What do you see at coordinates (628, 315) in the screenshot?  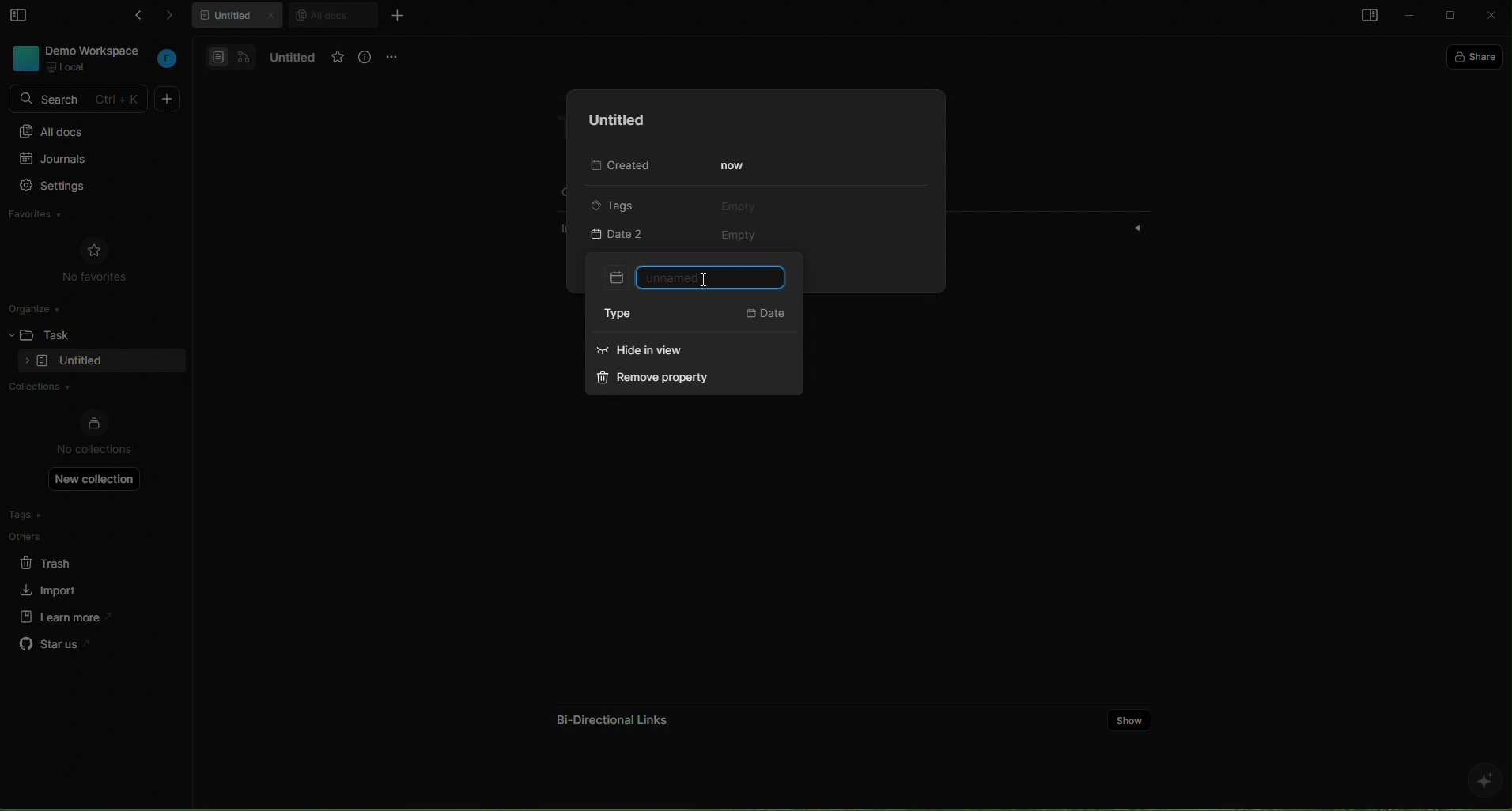 I see `type` at bounding box center [628, 315].